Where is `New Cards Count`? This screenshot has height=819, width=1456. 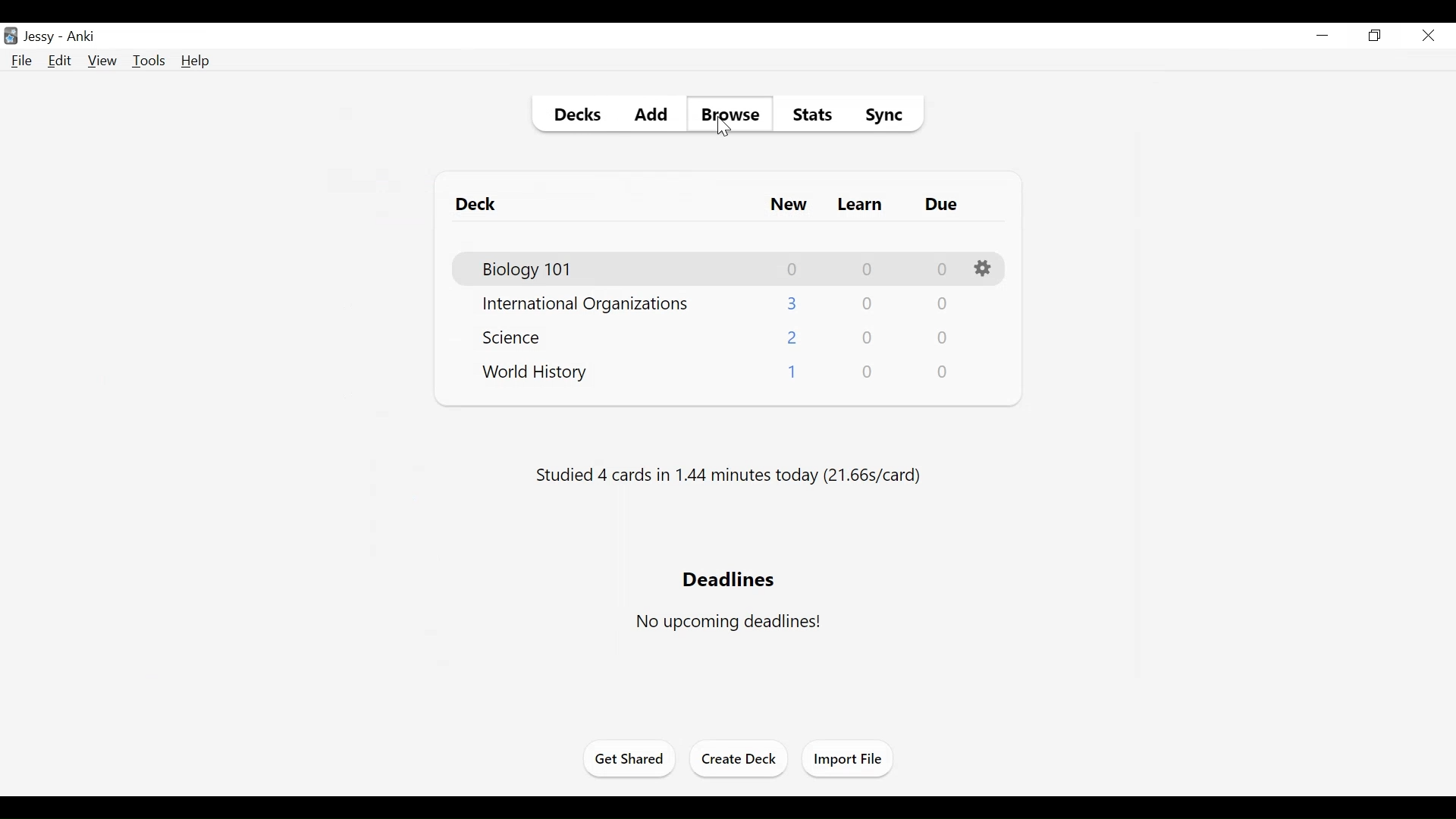
New Cards Count is located at coordinates (791, 372).